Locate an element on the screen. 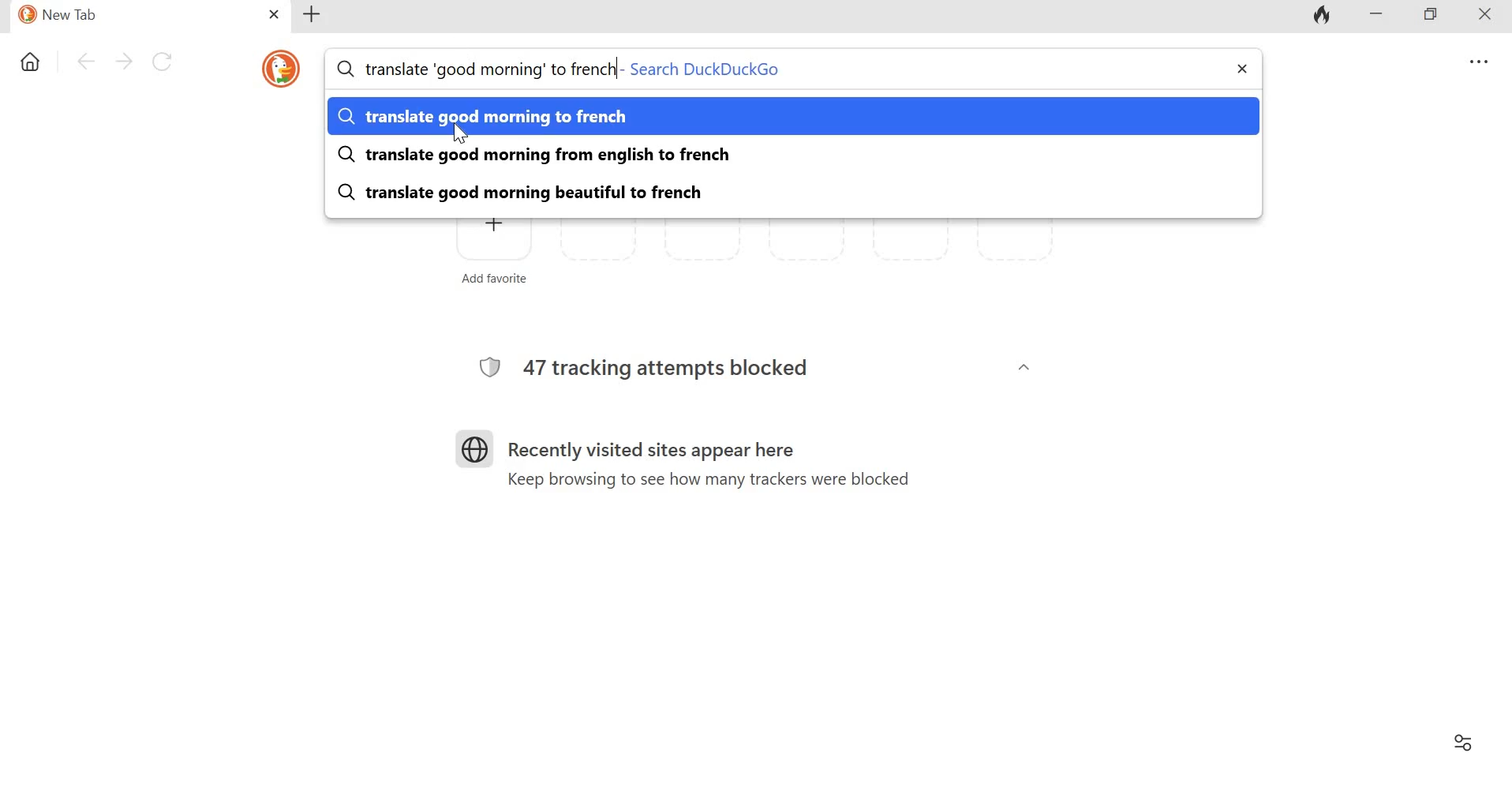 Image resolution: width=1512 pixels, height=791 pixels. cursor is located at coordinates (462, 134).